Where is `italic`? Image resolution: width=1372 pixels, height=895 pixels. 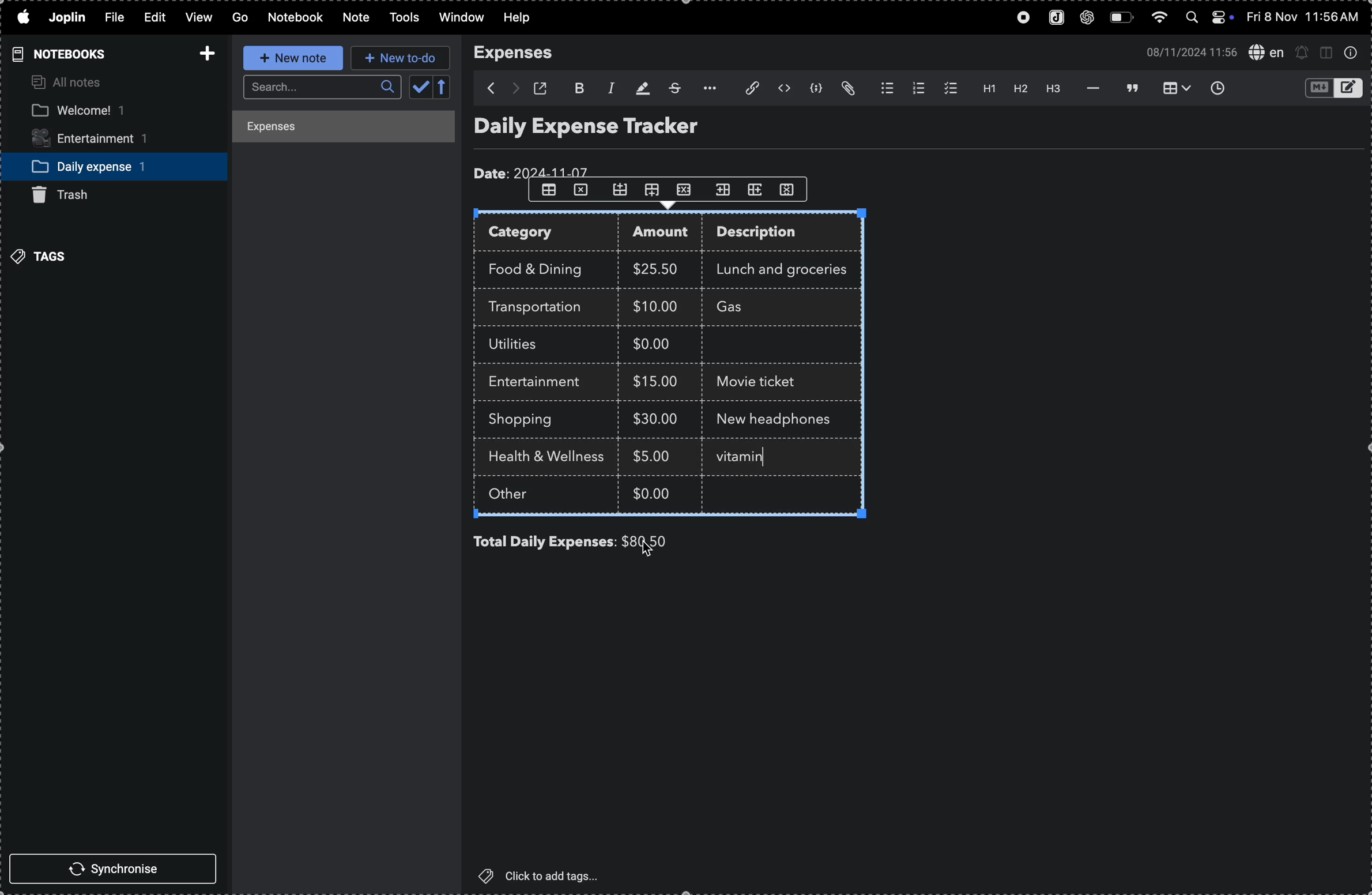 italic is located at coordinates (608, 87).